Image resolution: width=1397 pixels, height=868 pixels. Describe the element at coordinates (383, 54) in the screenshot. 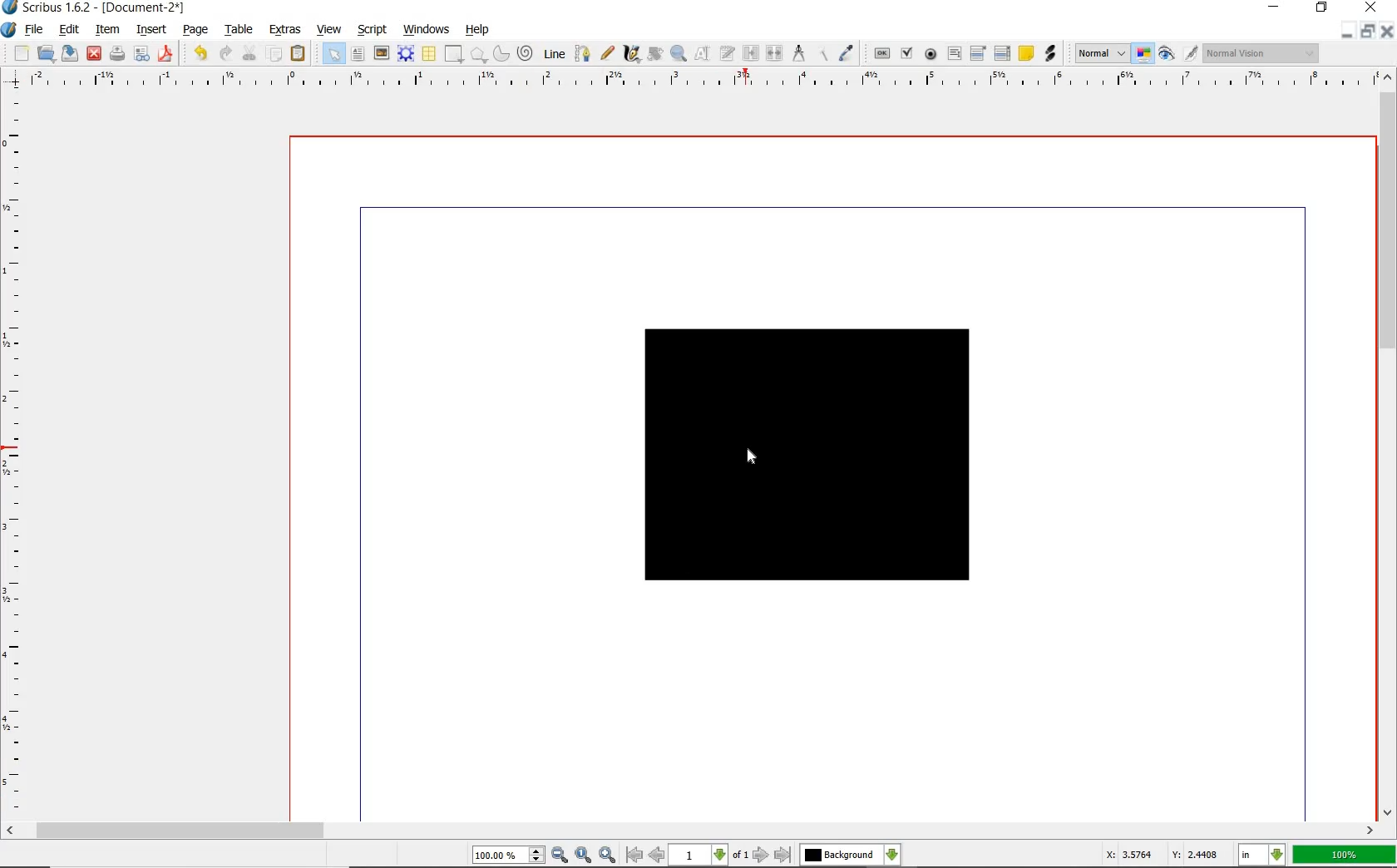

I see `image frame` at that location.